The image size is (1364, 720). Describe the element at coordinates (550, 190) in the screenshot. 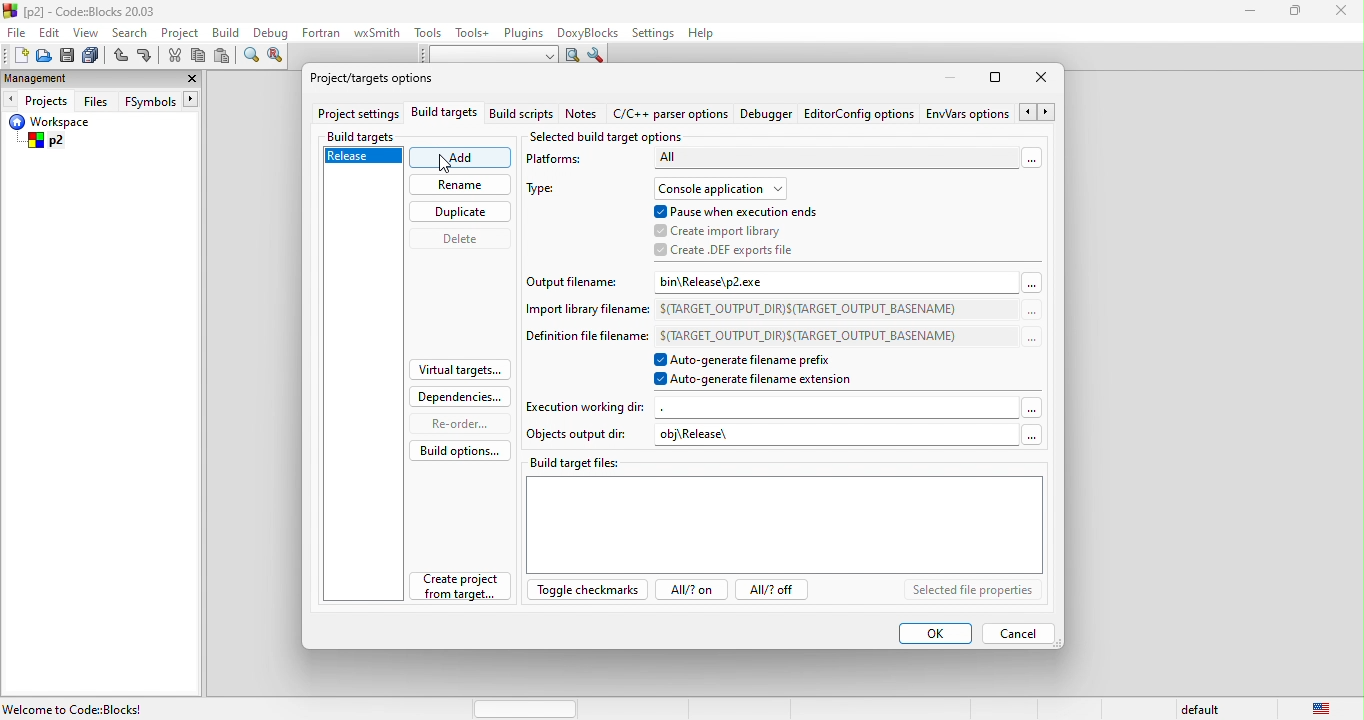

I see `type` at that location.